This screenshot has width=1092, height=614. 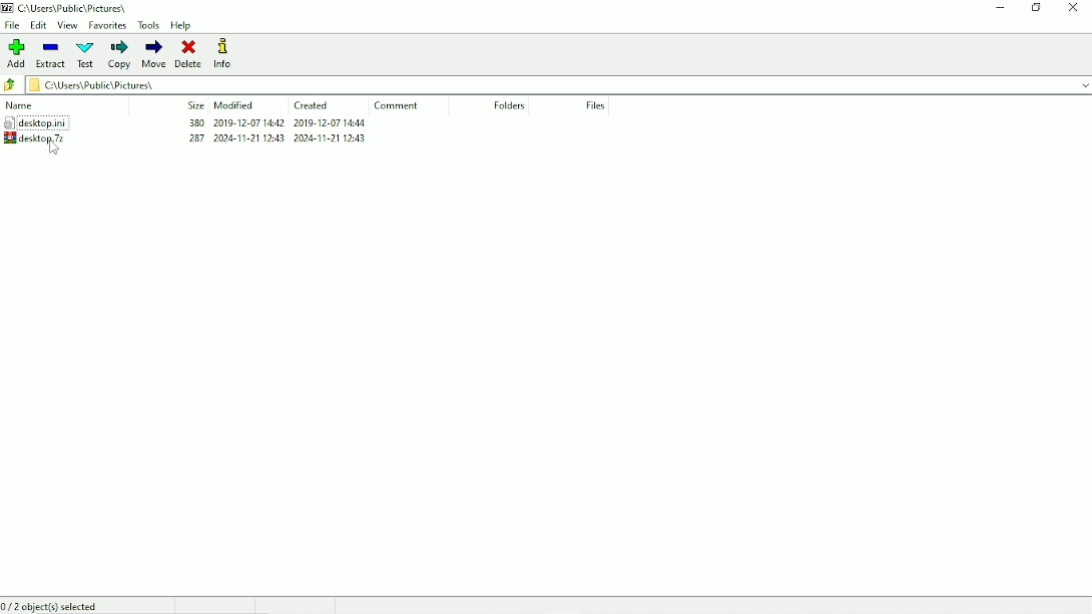 I want to click on Copy, so click(x=121, y=54).